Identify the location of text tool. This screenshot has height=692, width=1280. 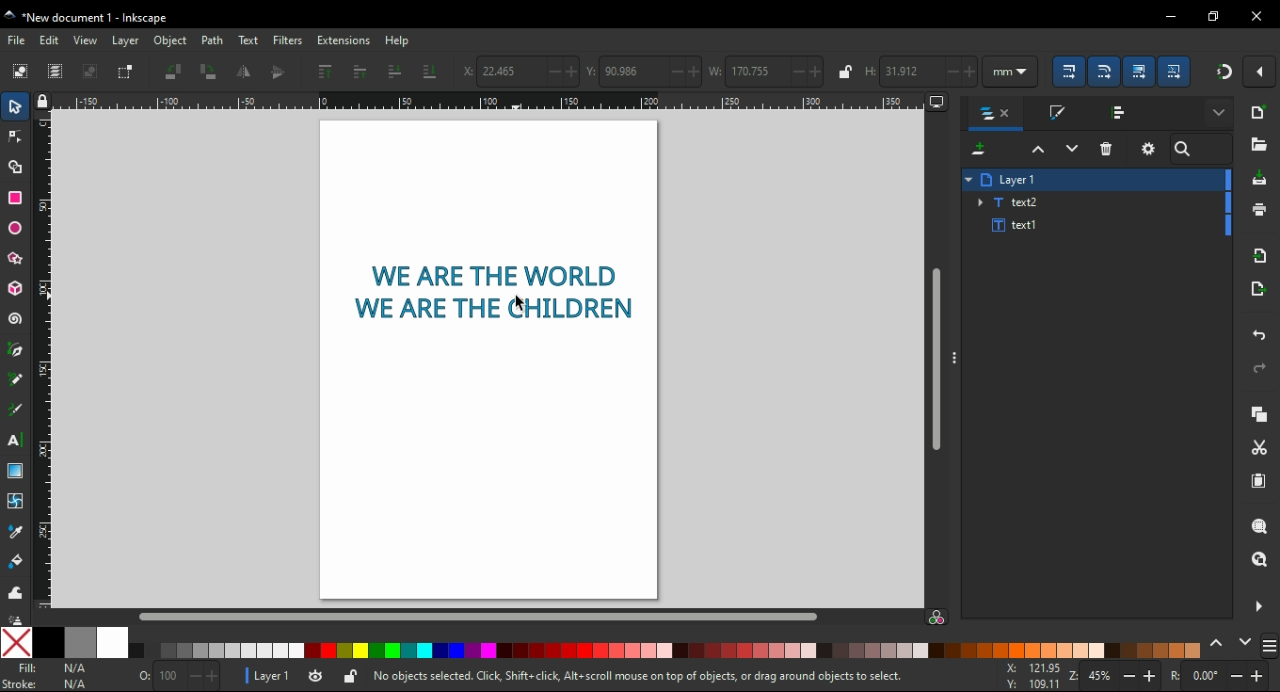
(16, 442).